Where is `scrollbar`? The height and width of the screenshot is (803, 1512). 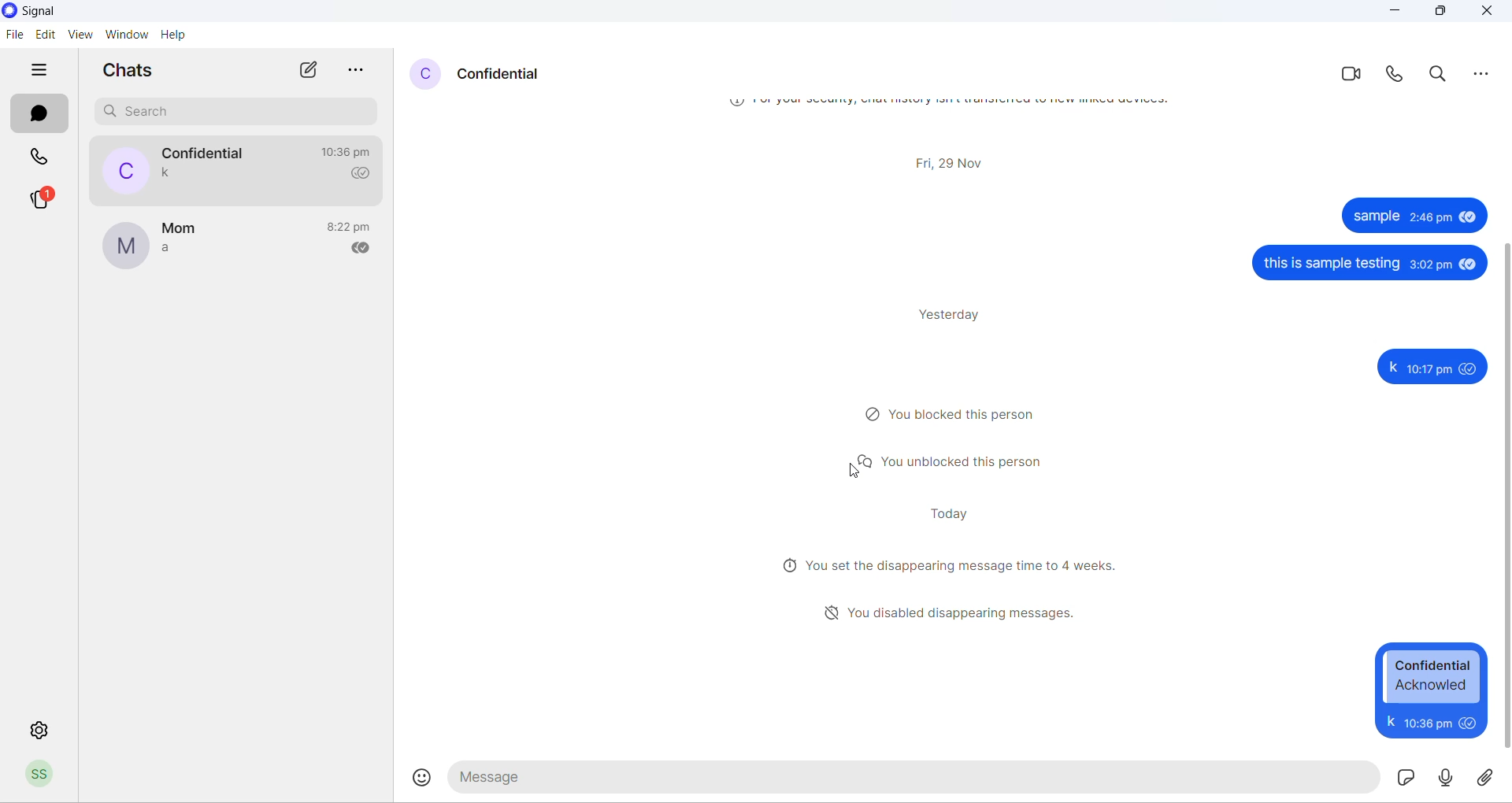 scrollbar is located at coordinates (1503, 498).